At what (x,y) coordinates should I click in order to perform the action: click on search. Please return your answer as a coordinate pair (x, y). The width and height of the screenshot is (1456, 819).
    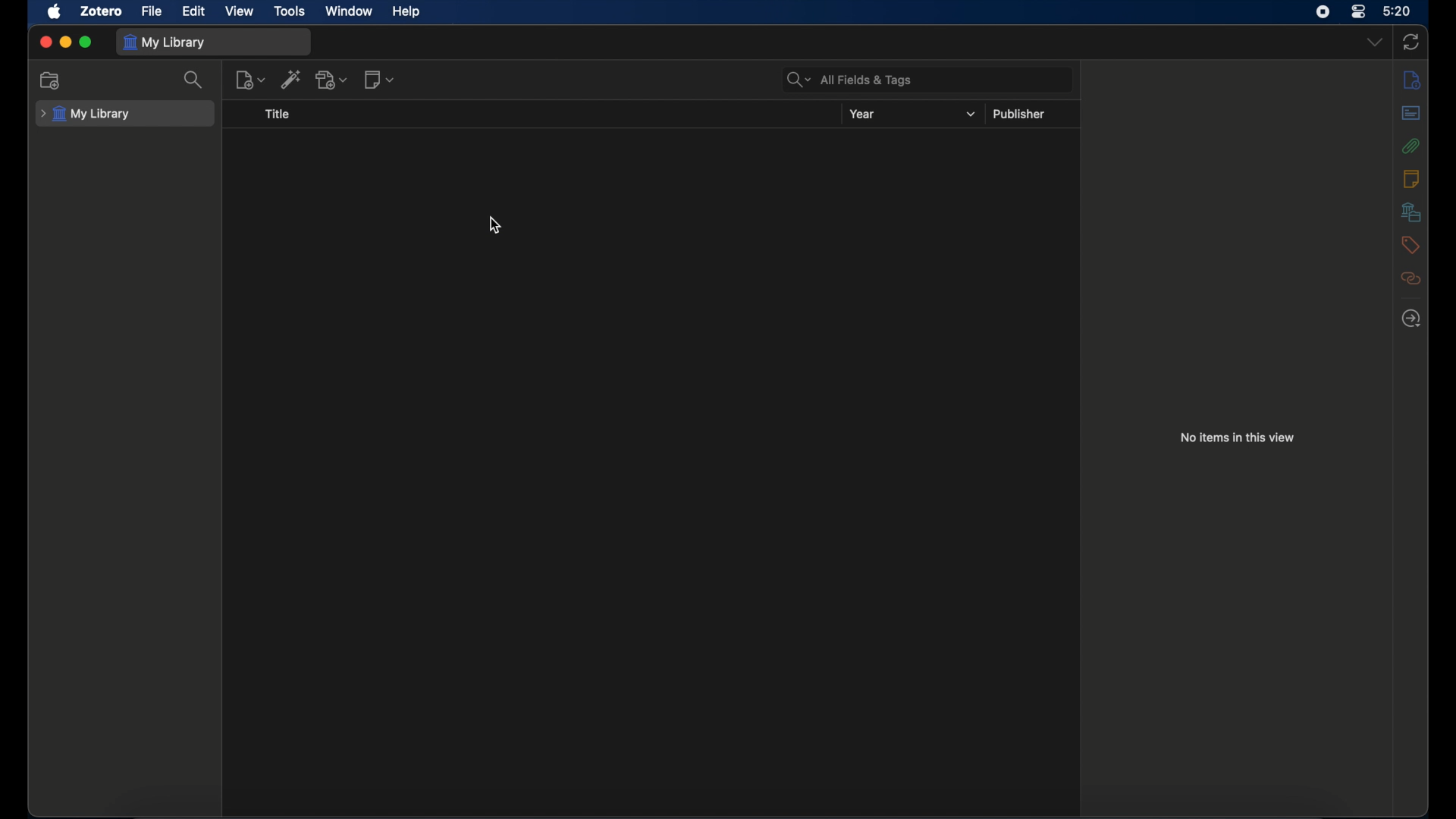
    Looking at the image, I should click on (194, 80).